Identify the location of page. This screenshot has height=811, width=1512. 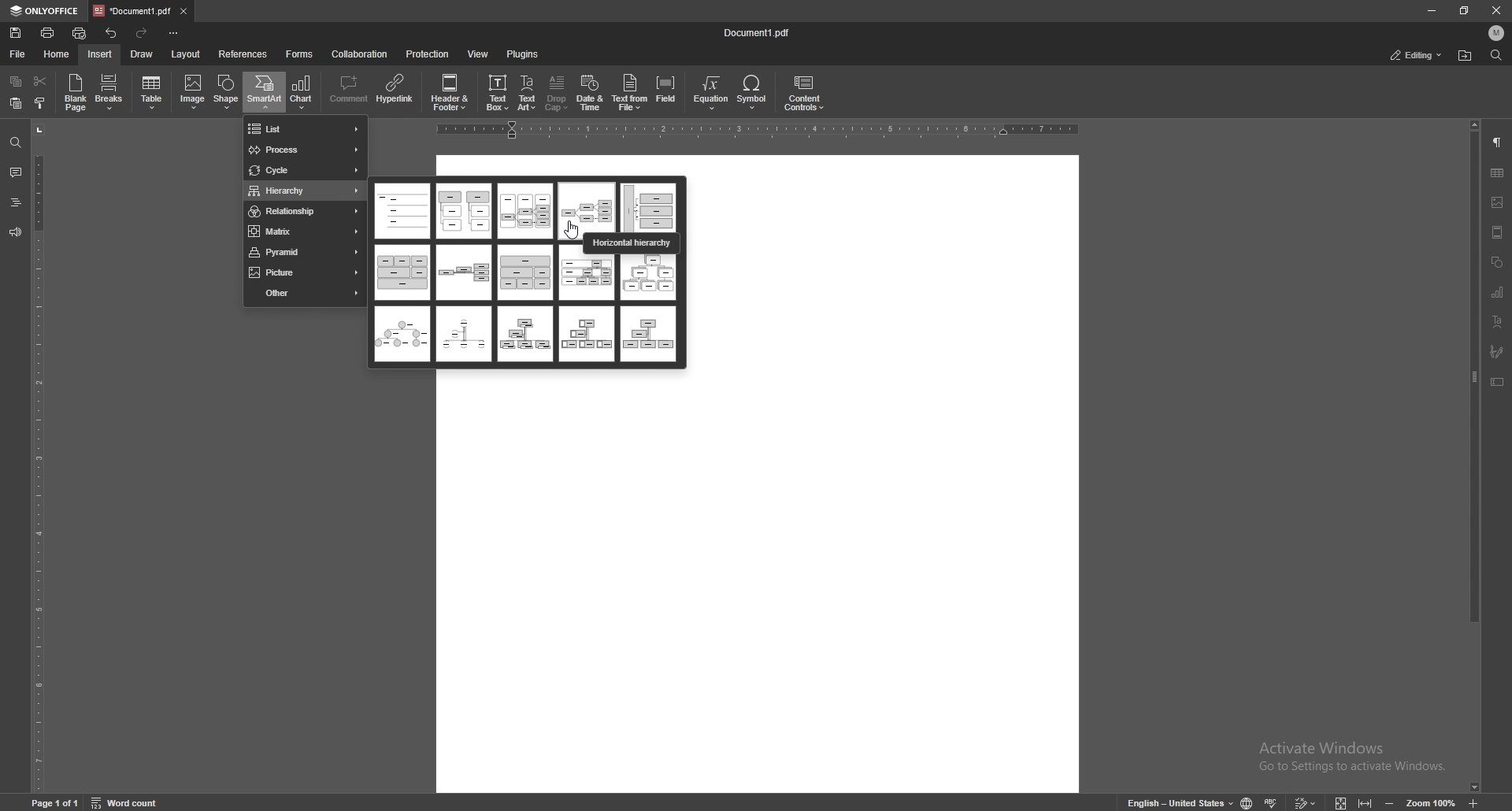
(57, 802).